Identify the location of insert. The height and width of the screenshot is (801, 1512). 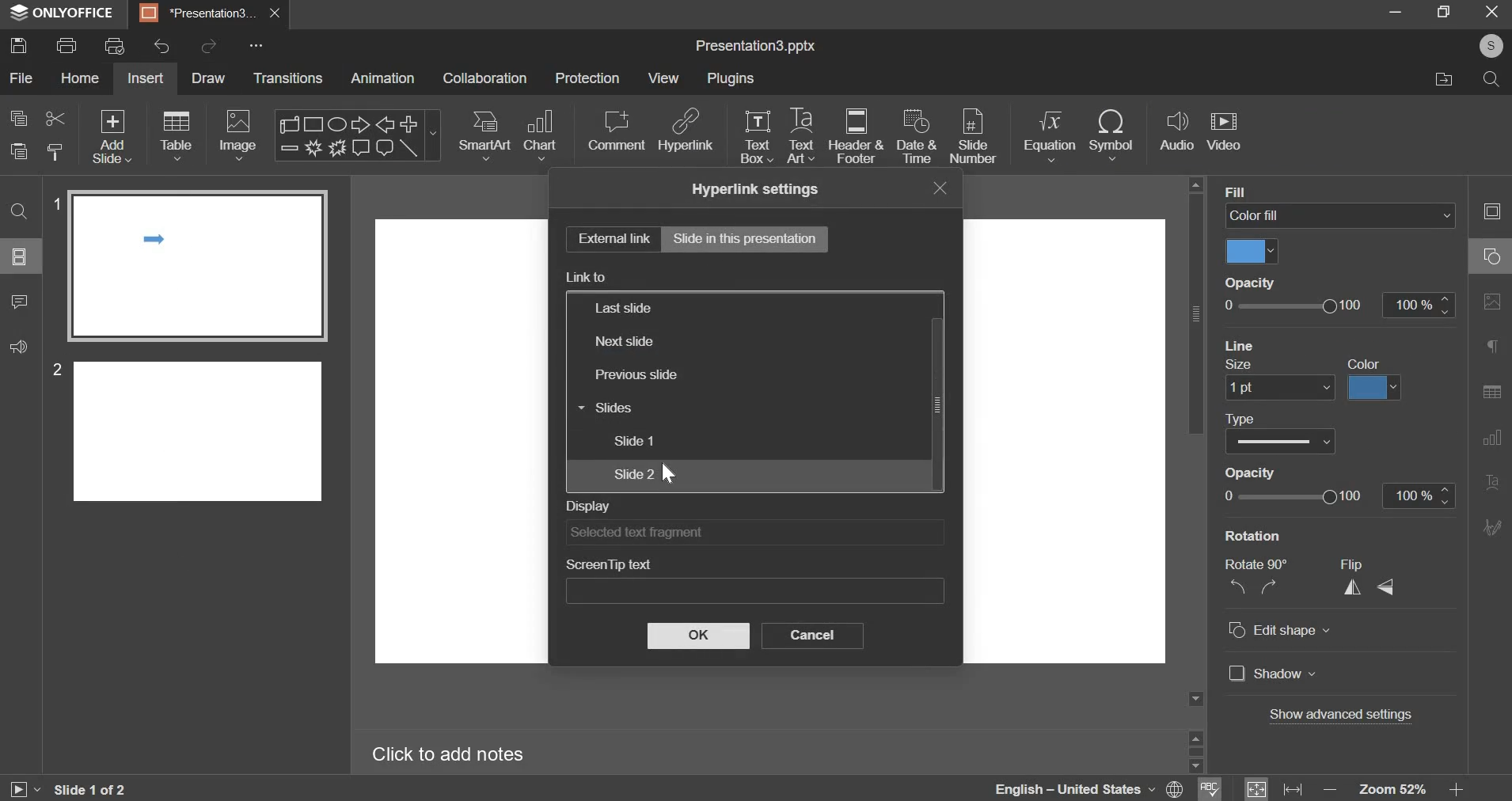
(145, 78).